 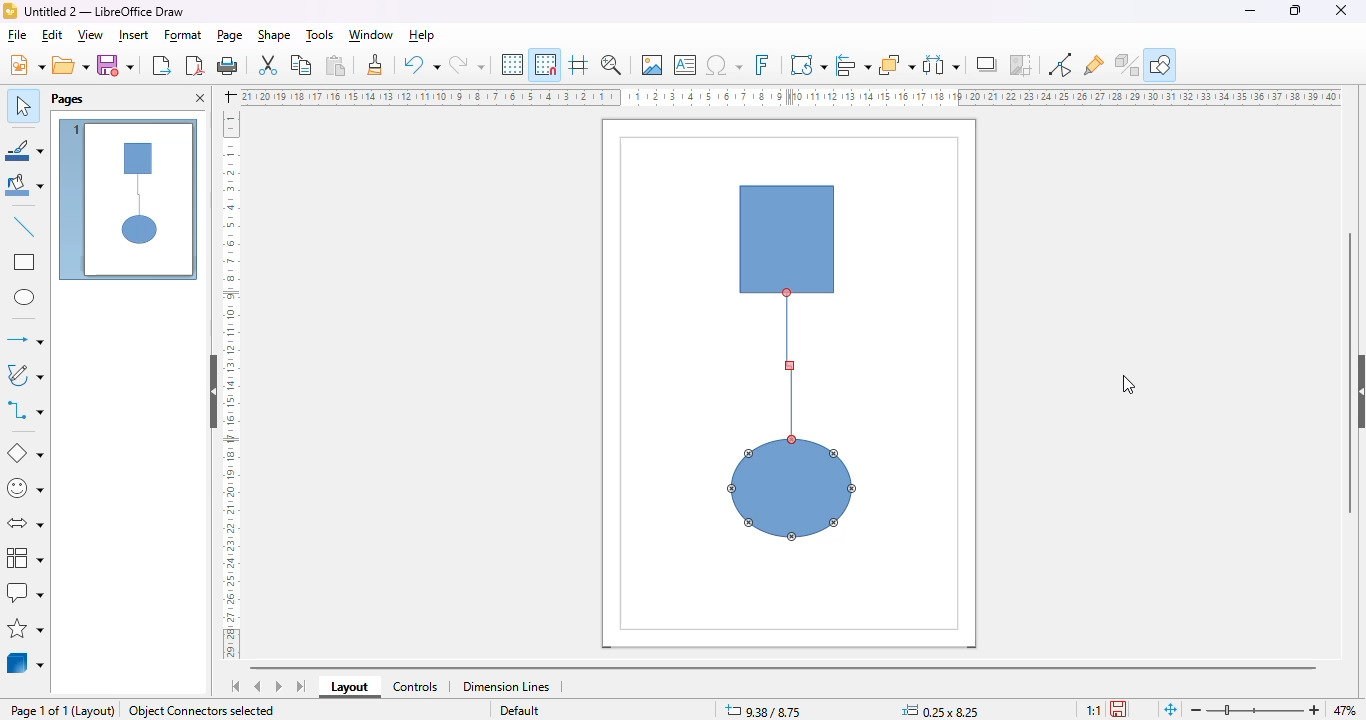 I want to click on format, so click(x=184, y=35).